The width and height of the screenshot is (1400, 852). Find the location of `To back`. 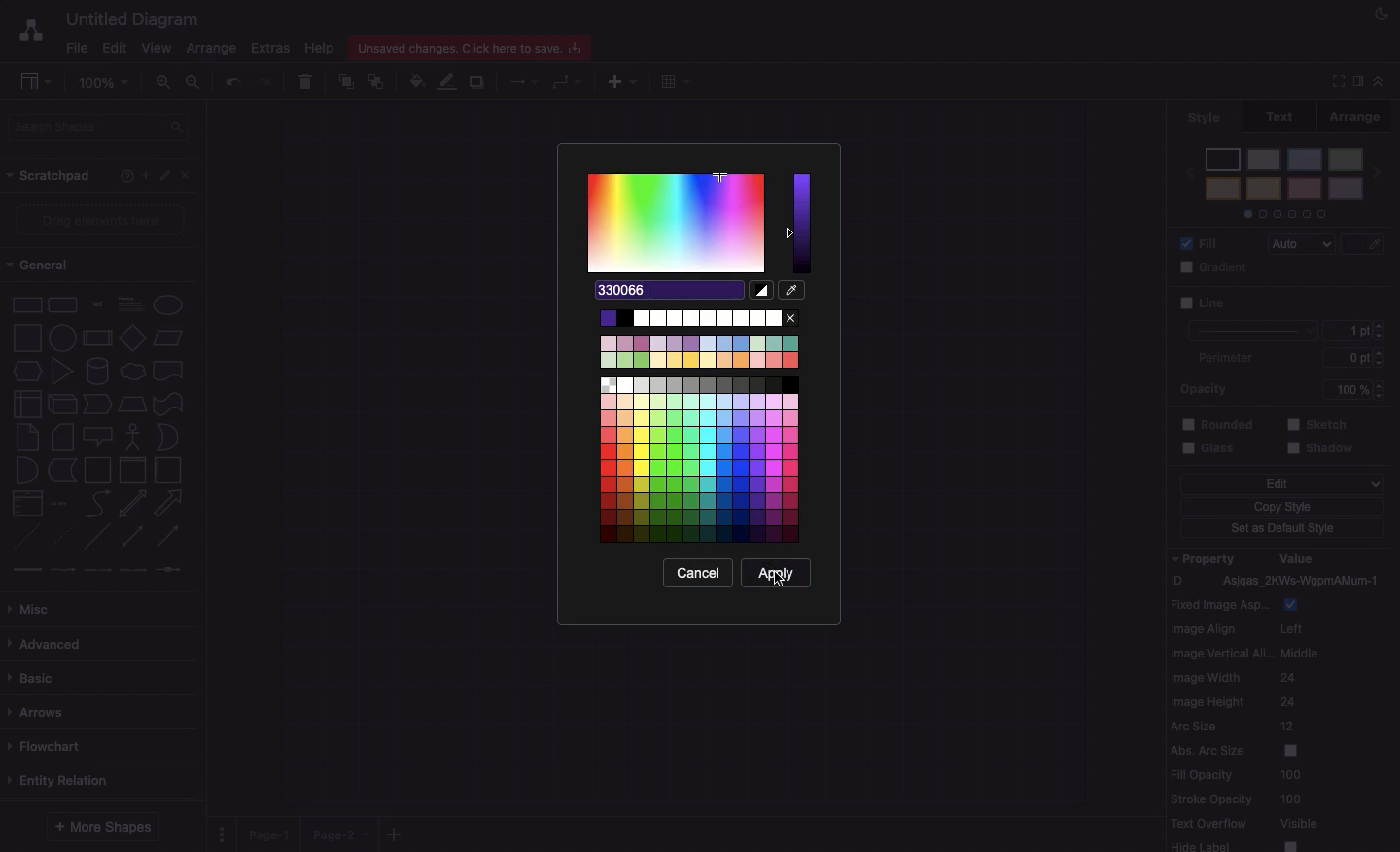

To back is located at coordinates (380, 81).